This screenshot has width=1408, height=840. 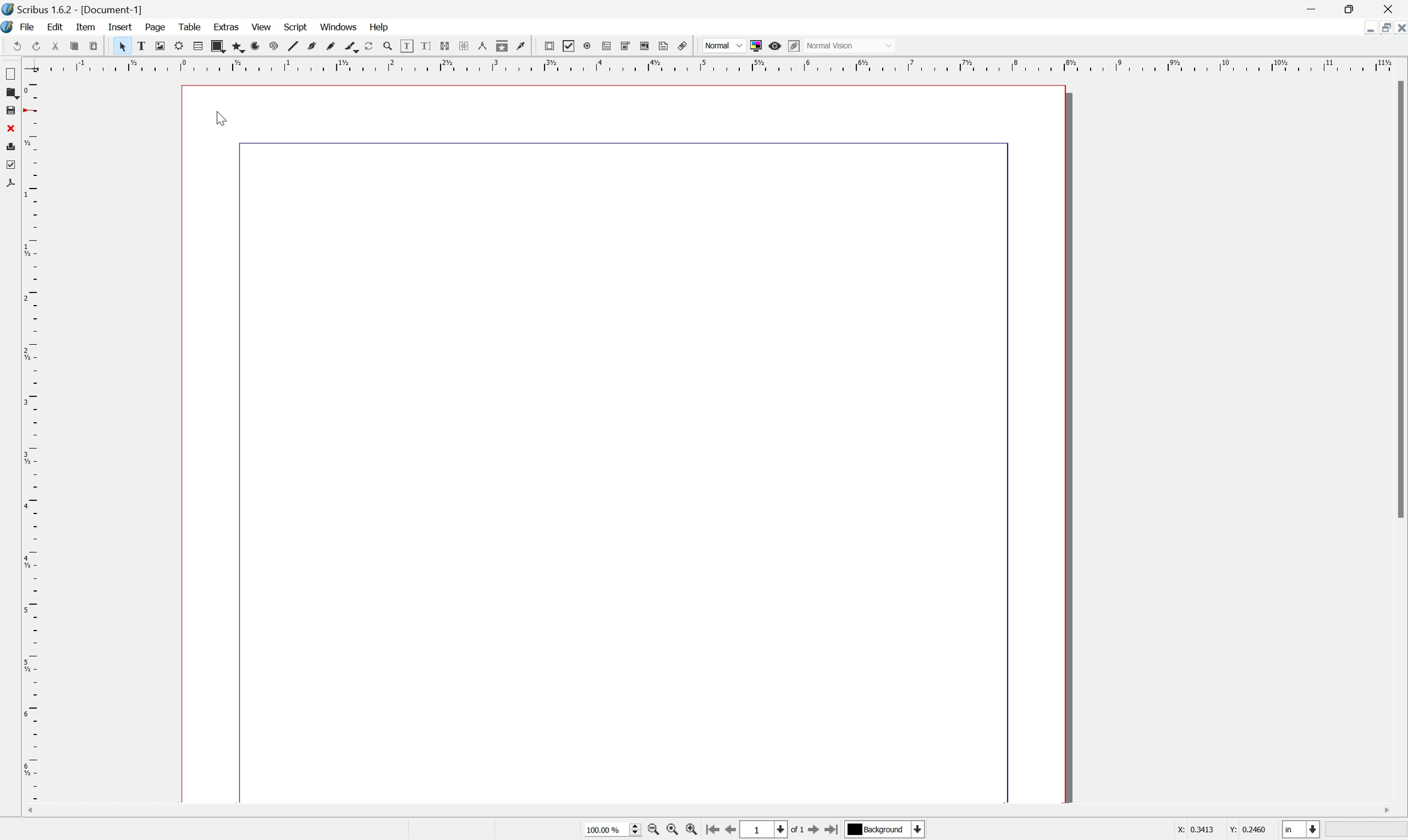 I want to click on zoom in, so click(x=691, y=830).